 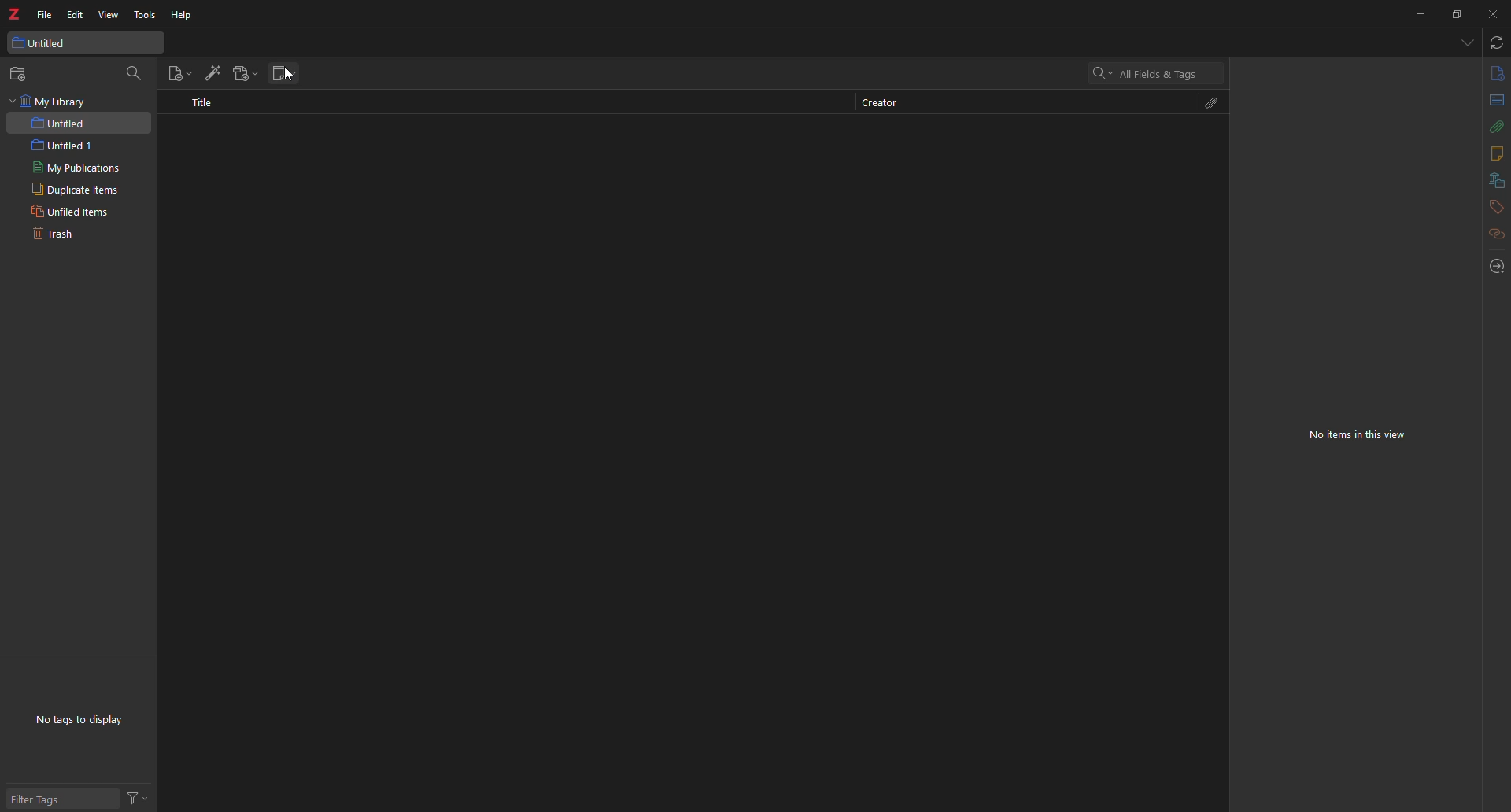 What do you see at coordinates (21, 73) in the screenshot?
I see `new collection` at bounding box center [21, 73].